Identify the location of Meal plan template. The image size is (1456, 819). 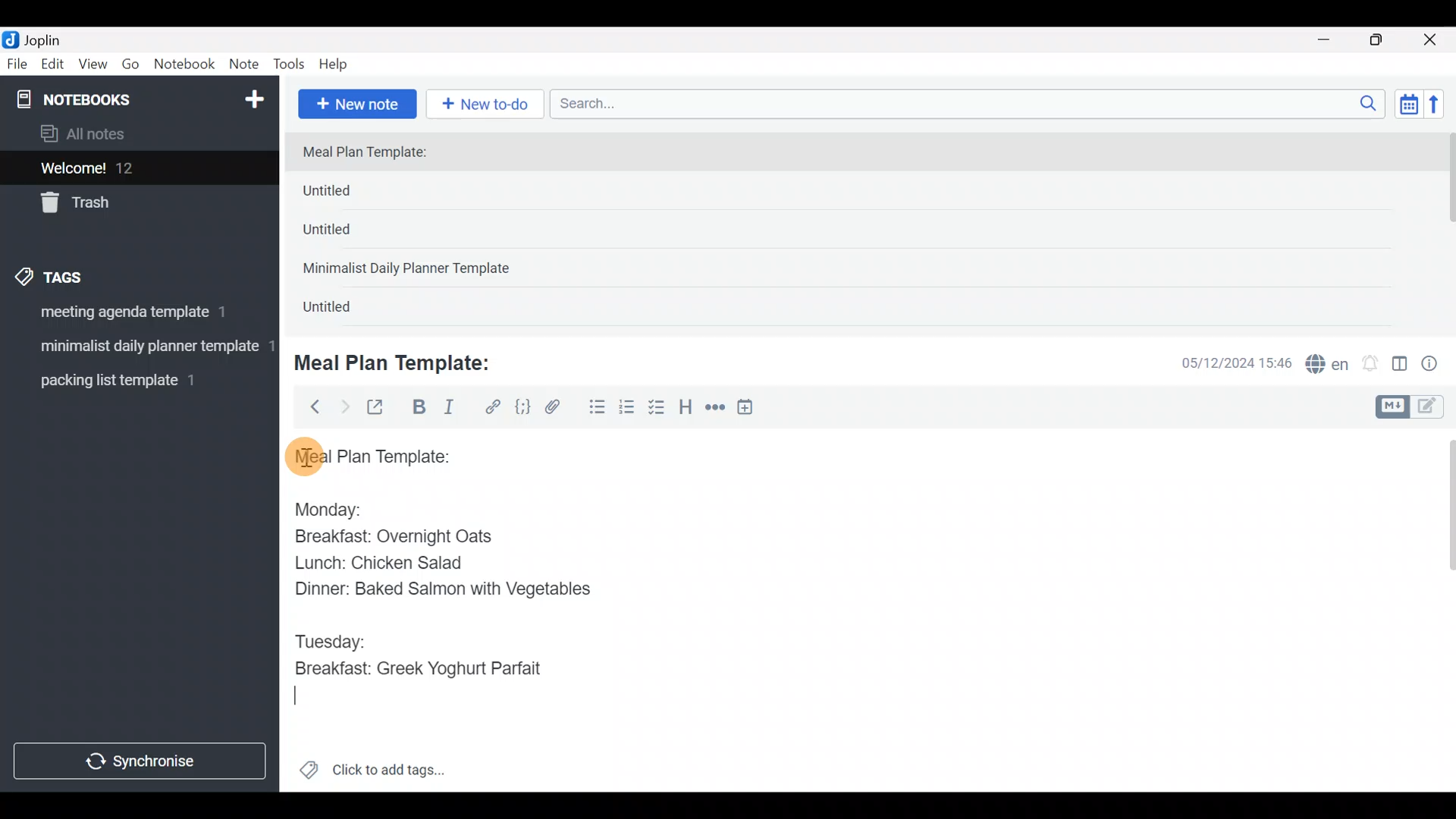
(367, 454).